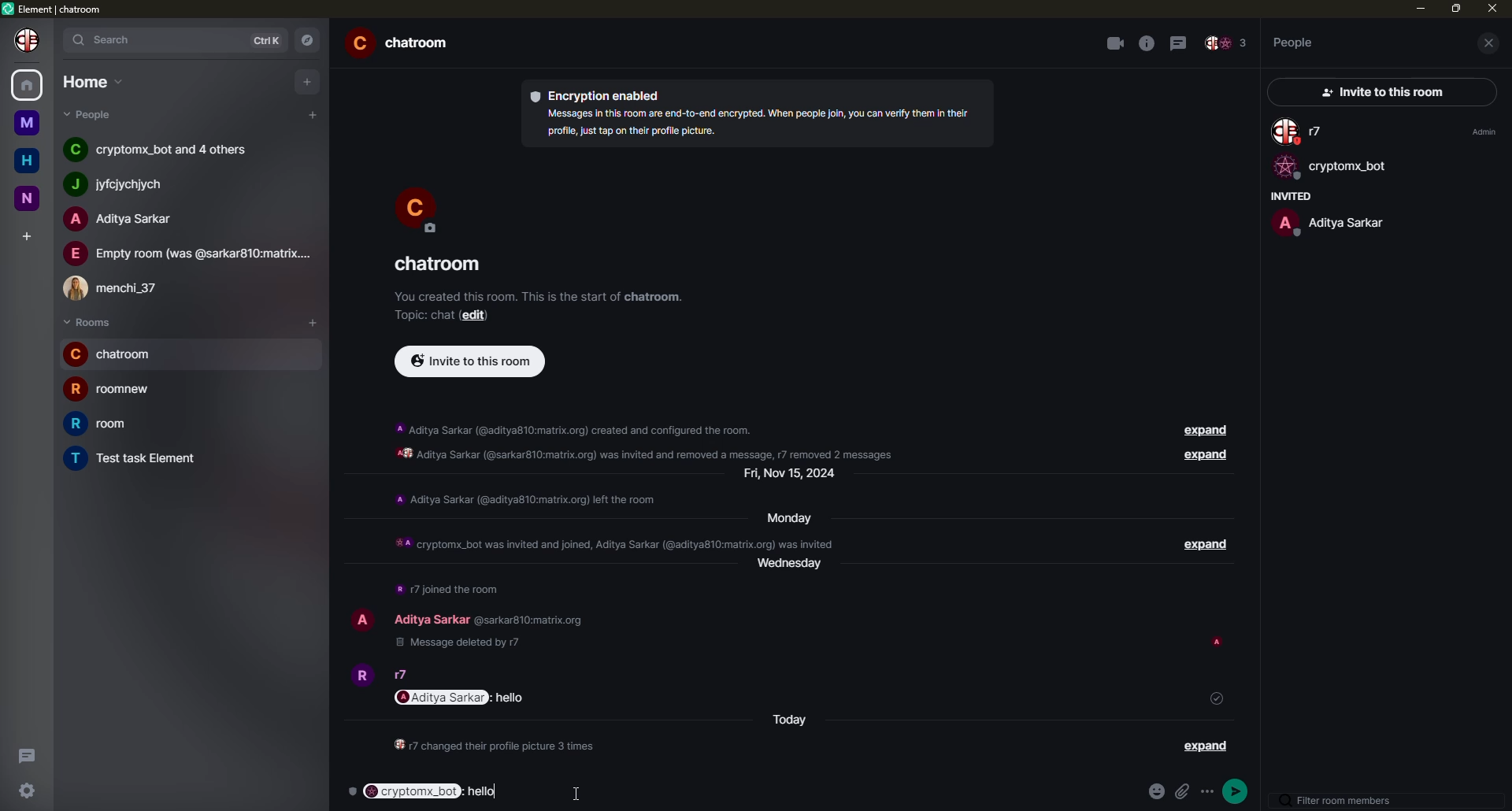 The width and height of the screenshot is (1512, 811). I want to click on people, so click(124, 184).